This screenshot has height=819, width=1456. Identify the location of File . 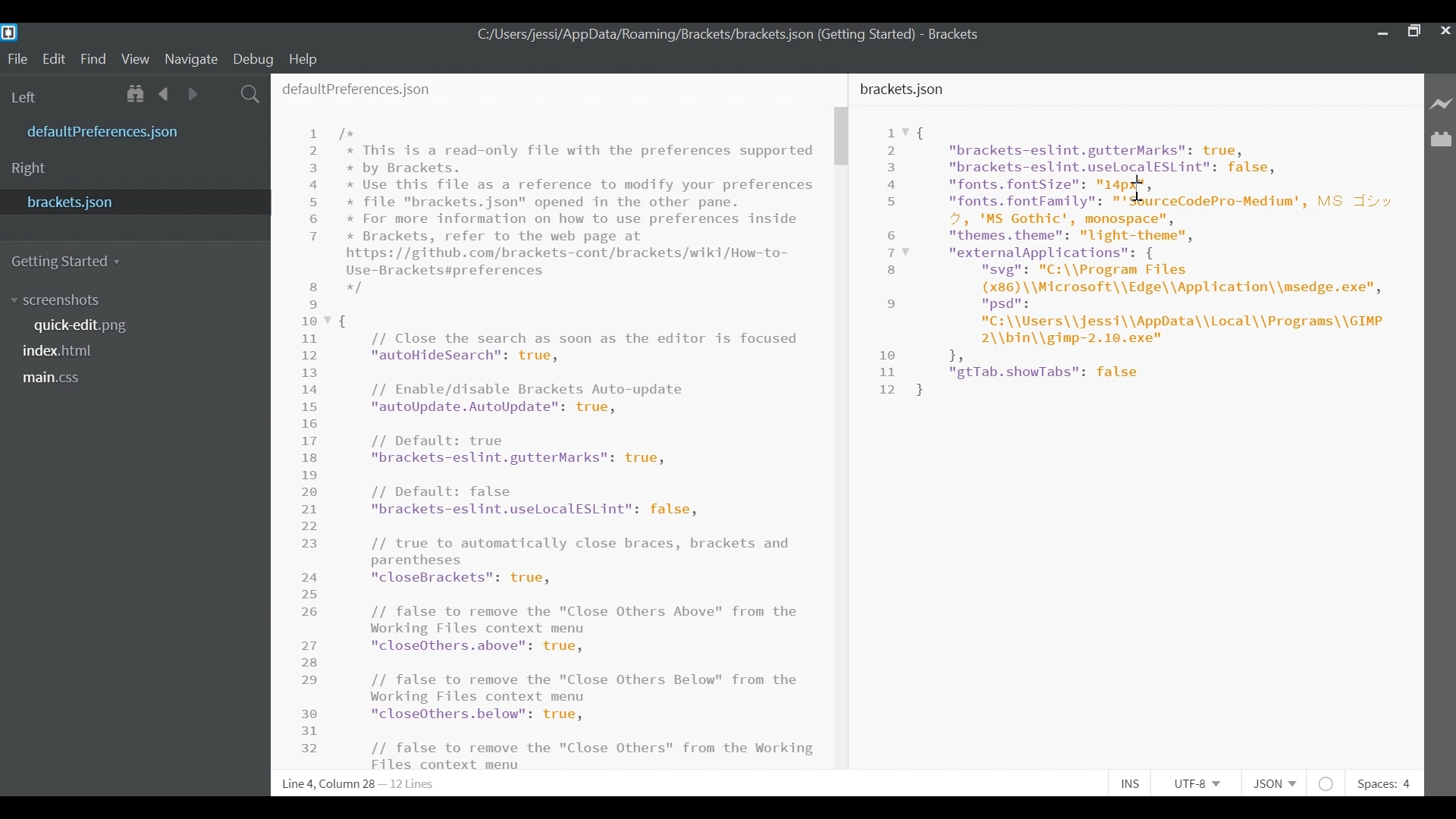
(14, 58).